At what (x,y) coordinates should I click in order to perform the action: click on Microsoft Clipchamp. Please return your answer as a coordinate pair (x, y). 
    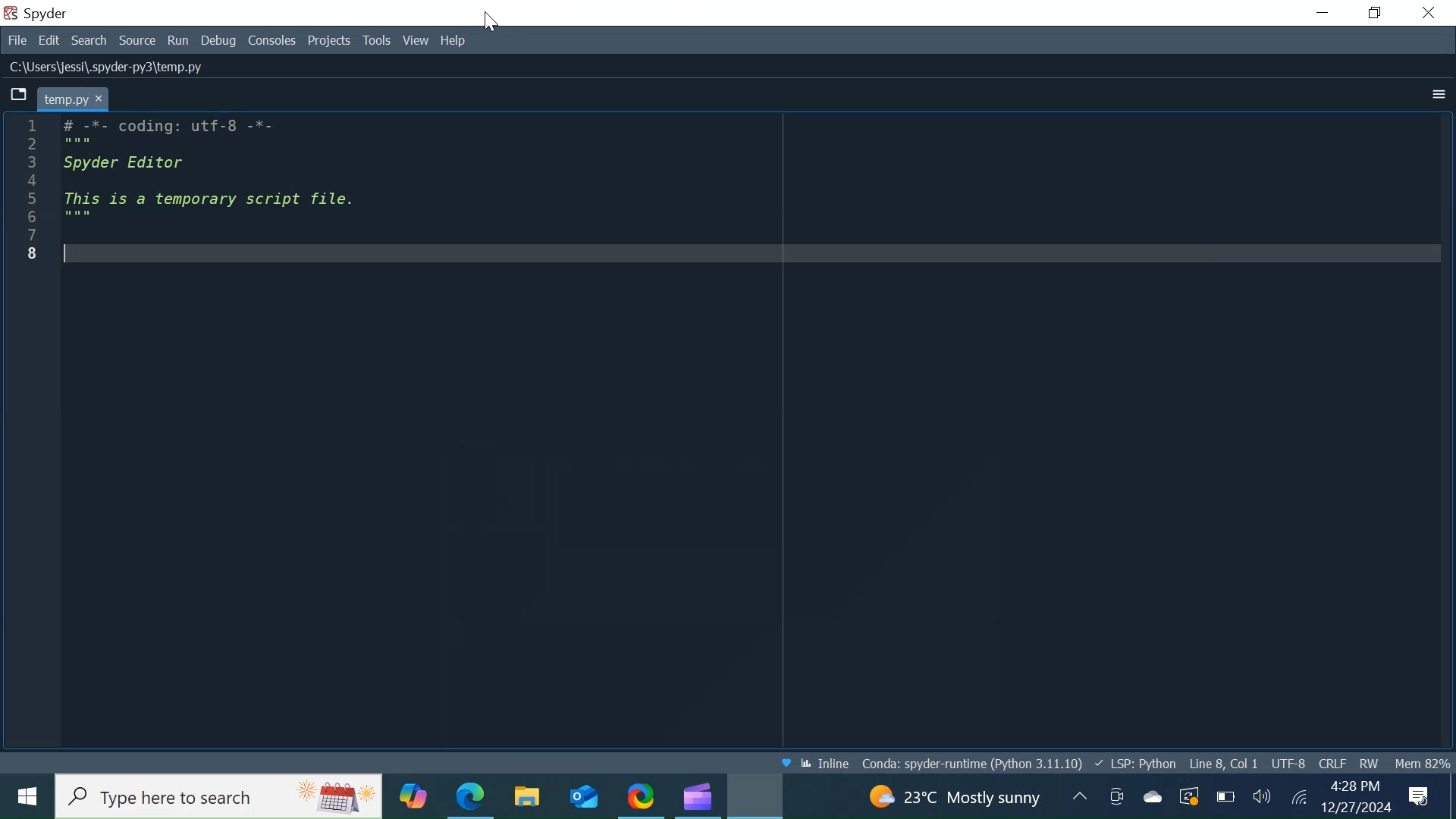
    Looking at the image, I should click on (697, 795).